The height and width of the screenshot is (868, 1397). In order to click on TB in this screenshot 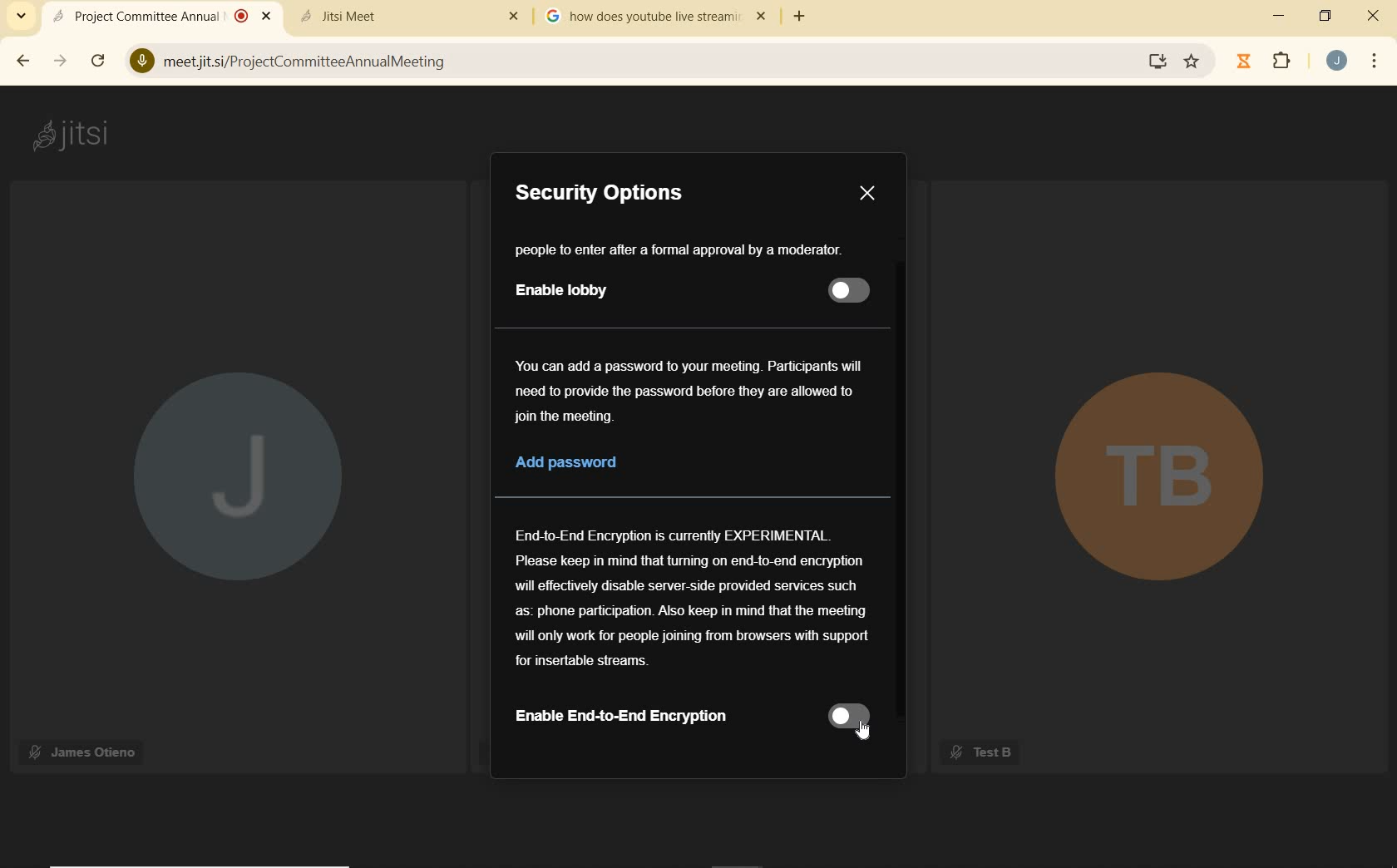, I will do `click(1164, 466)`.